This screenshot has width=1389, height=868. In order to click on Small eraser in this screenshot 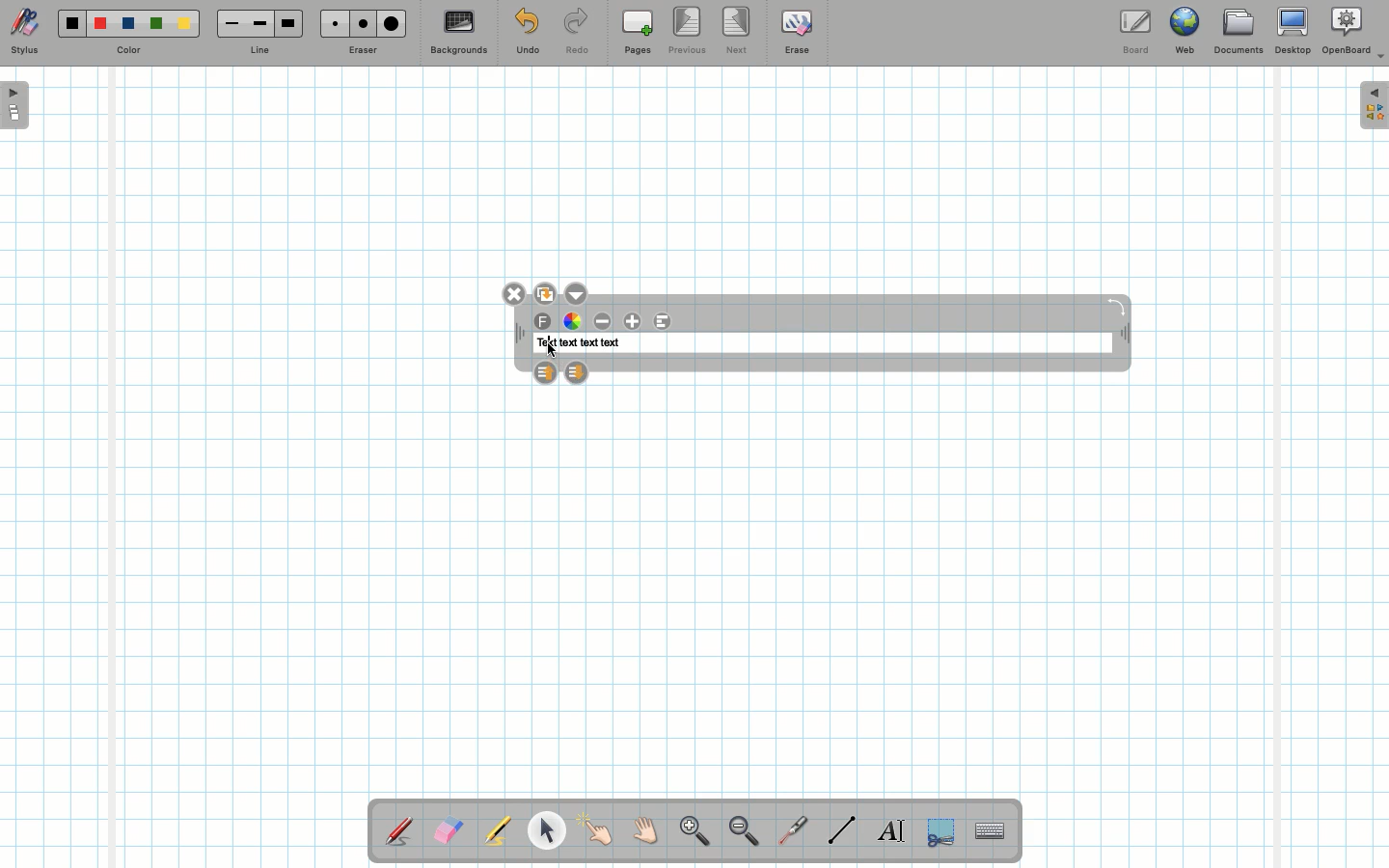, I will do `click(330, 23)`.